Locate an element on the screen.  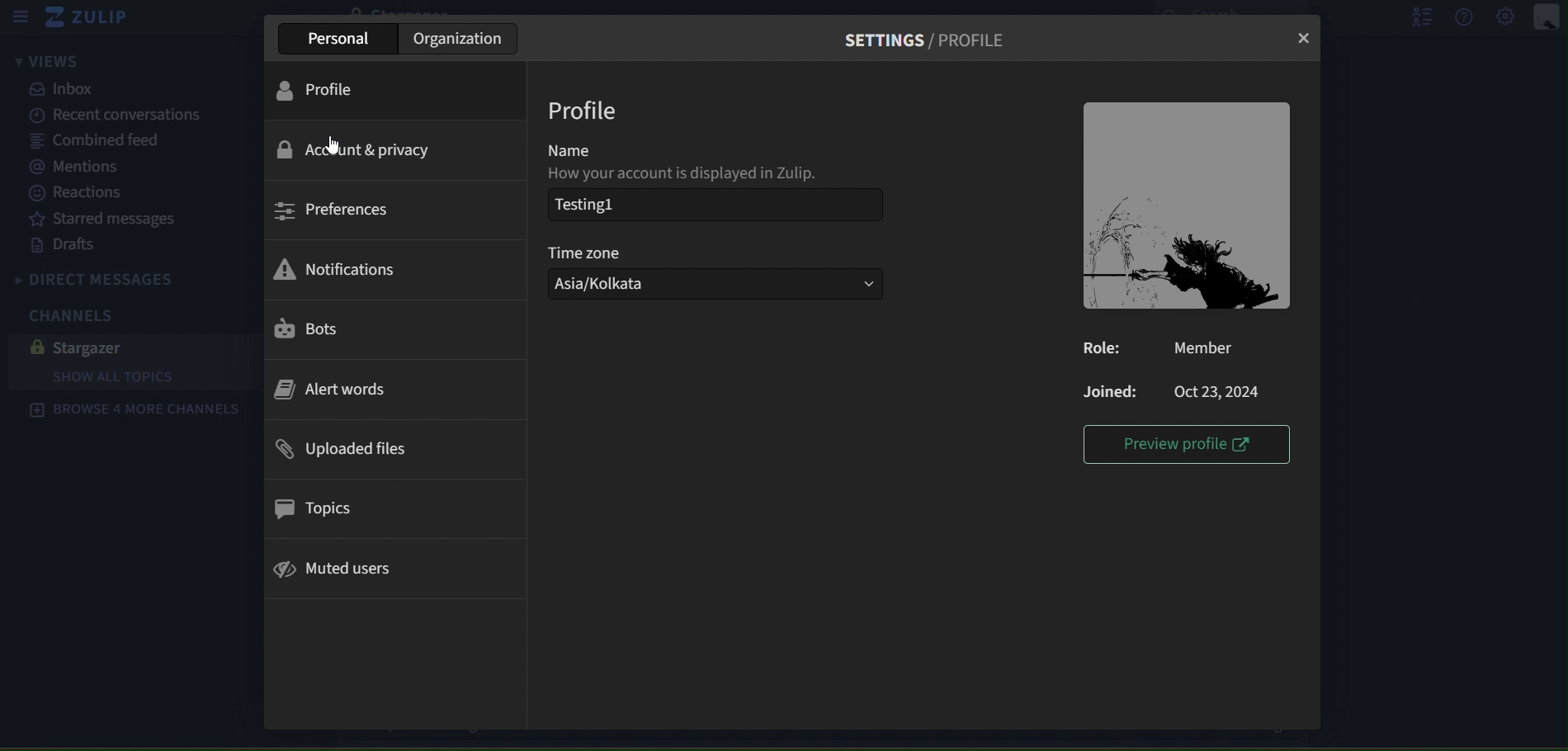
recent canversations is located at coordinates (106, 116).